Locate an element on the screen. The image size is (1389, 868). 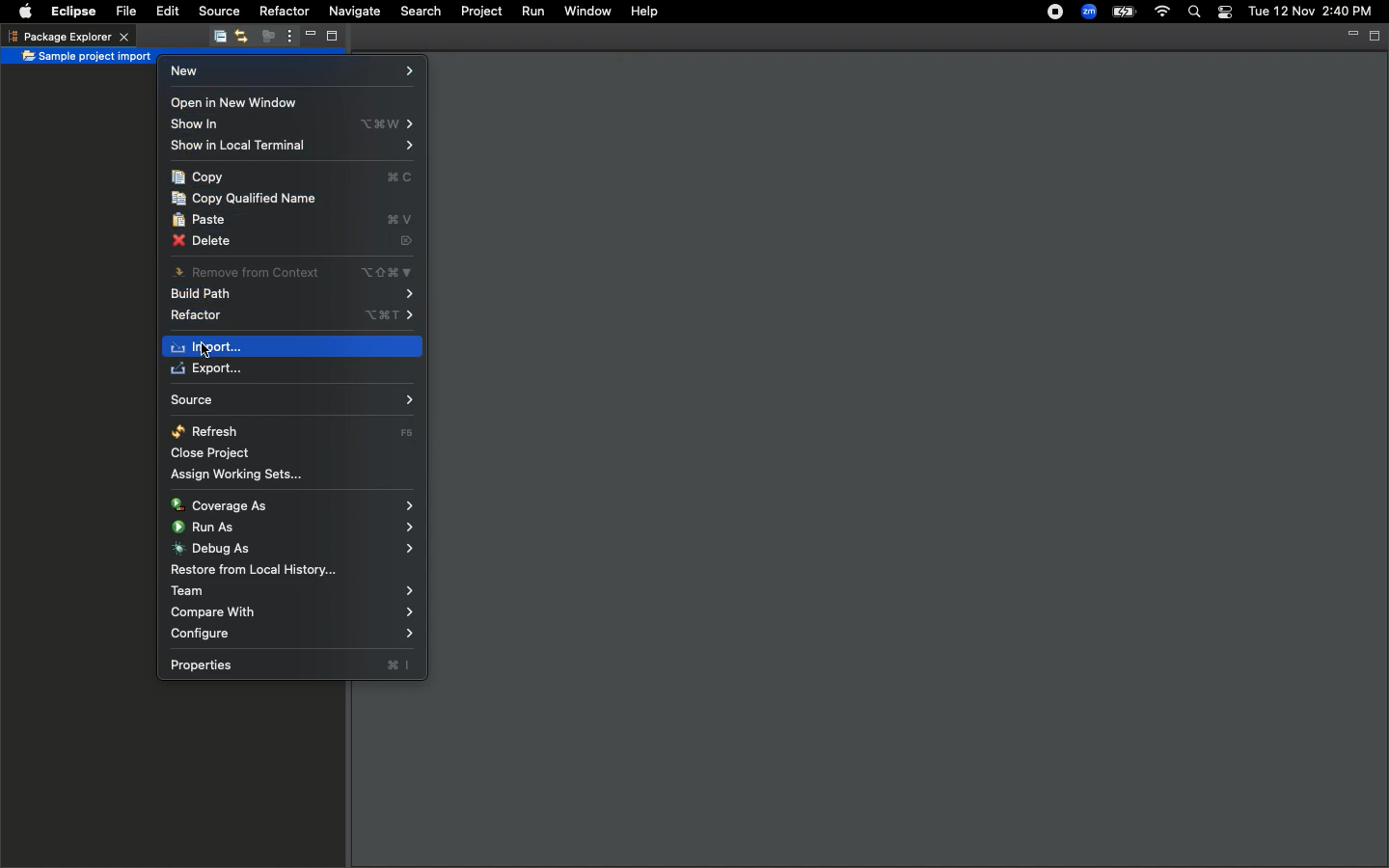
control center is located at coordinates (1223, 13).